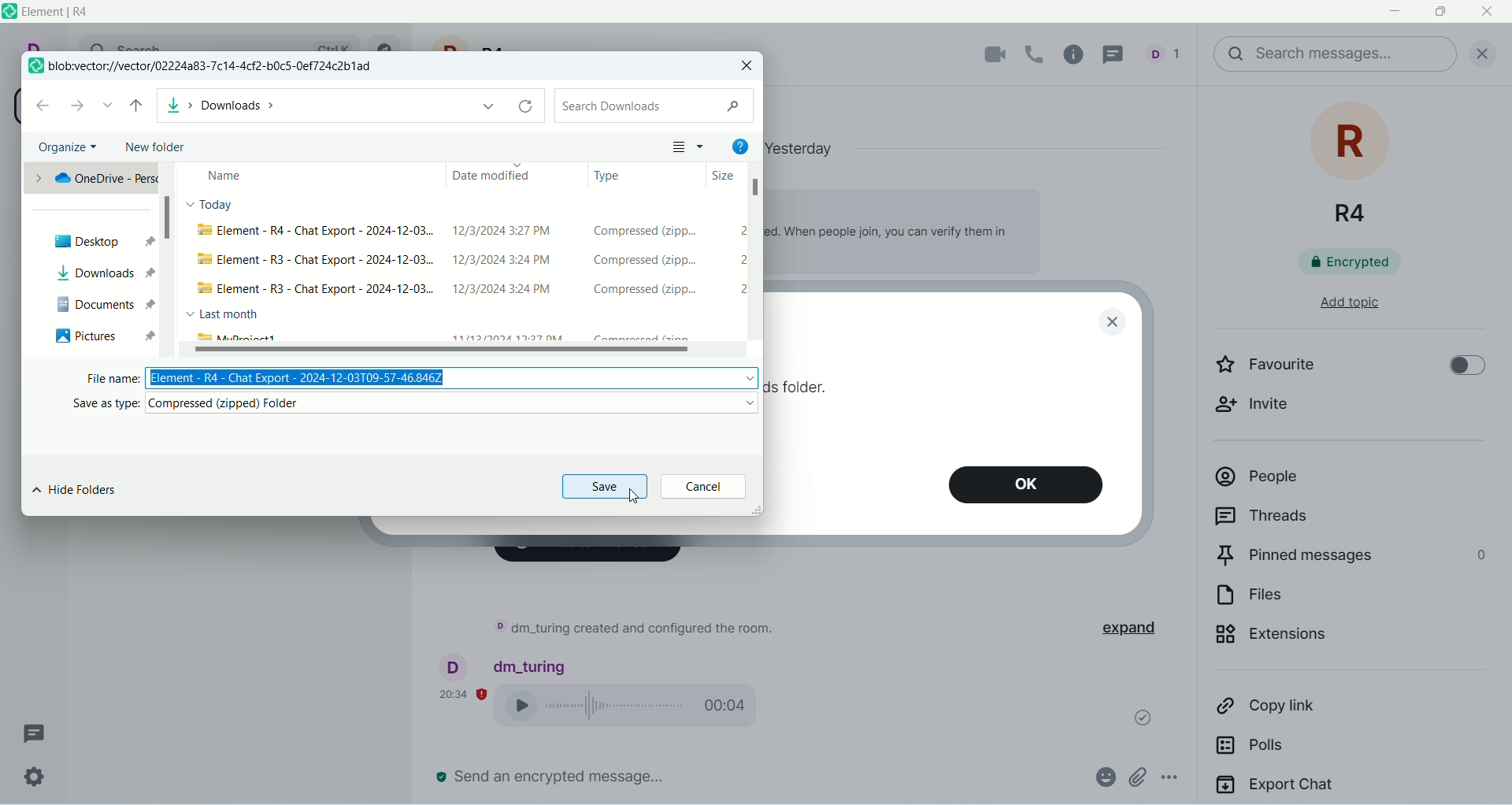 This screenshot has width=1512, height=805. Describe the element at coordinates (743, 148) in the screenshot. I see `help` at that location.